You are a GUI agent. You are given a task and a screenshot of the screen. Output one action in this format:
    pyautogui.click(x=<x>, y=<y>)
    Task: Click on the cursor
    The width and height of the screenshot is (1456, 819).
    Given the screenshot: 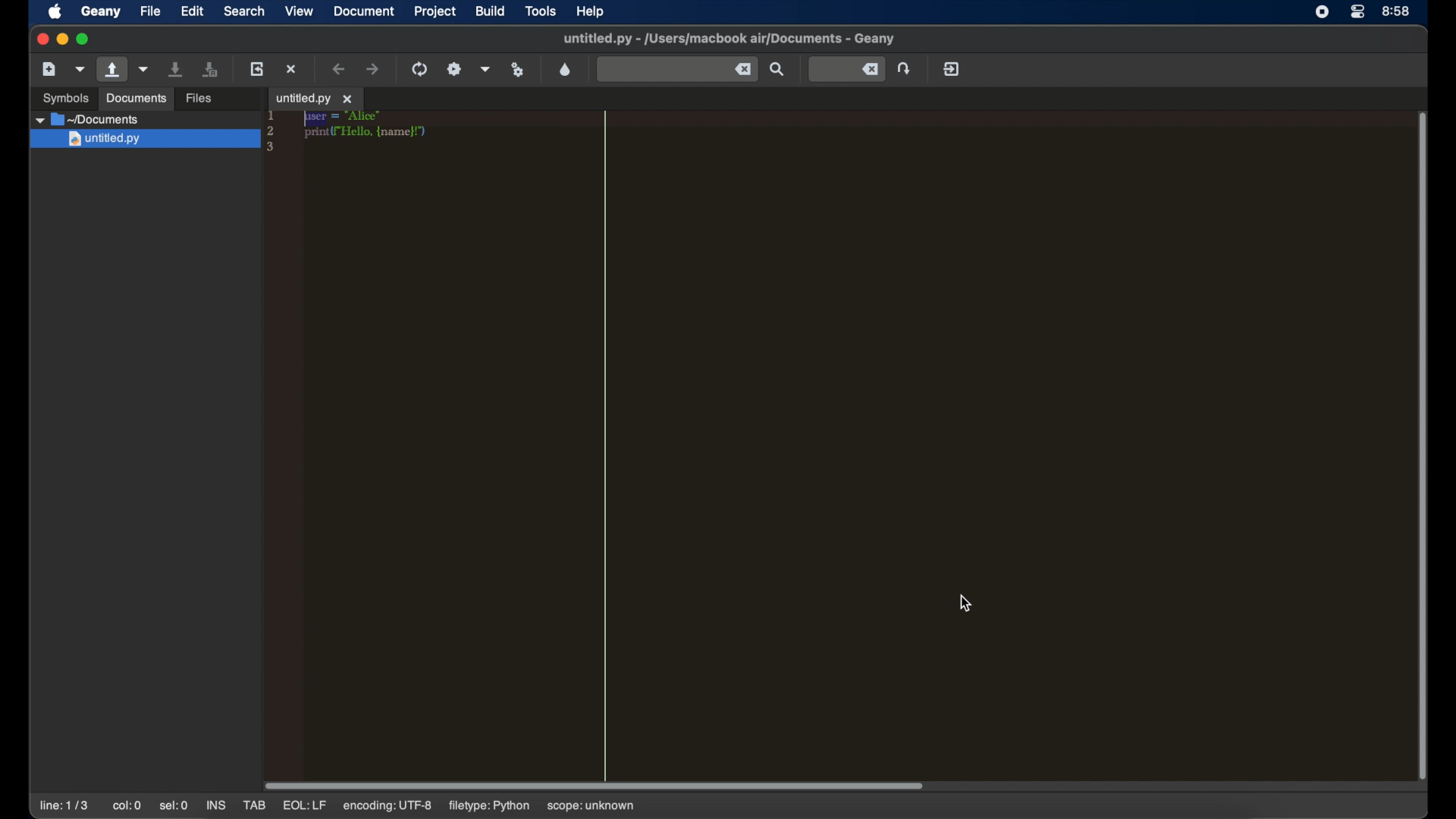 What is the action you would take?
    pyautogui.click(x=965, y=603)
    